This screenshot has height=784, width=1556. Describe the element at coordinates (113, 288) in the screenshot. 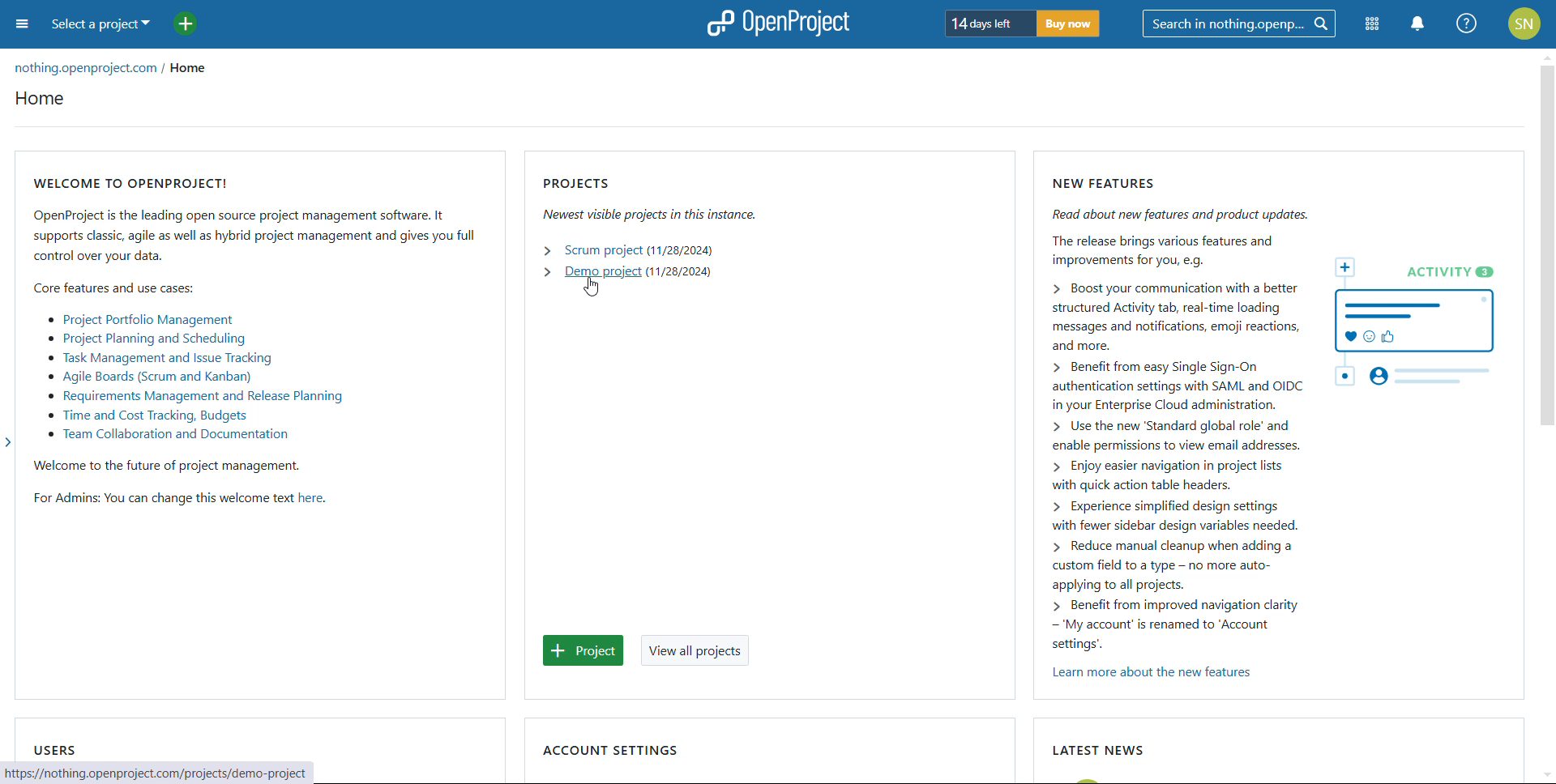

I see `core features and use cases` at that location.